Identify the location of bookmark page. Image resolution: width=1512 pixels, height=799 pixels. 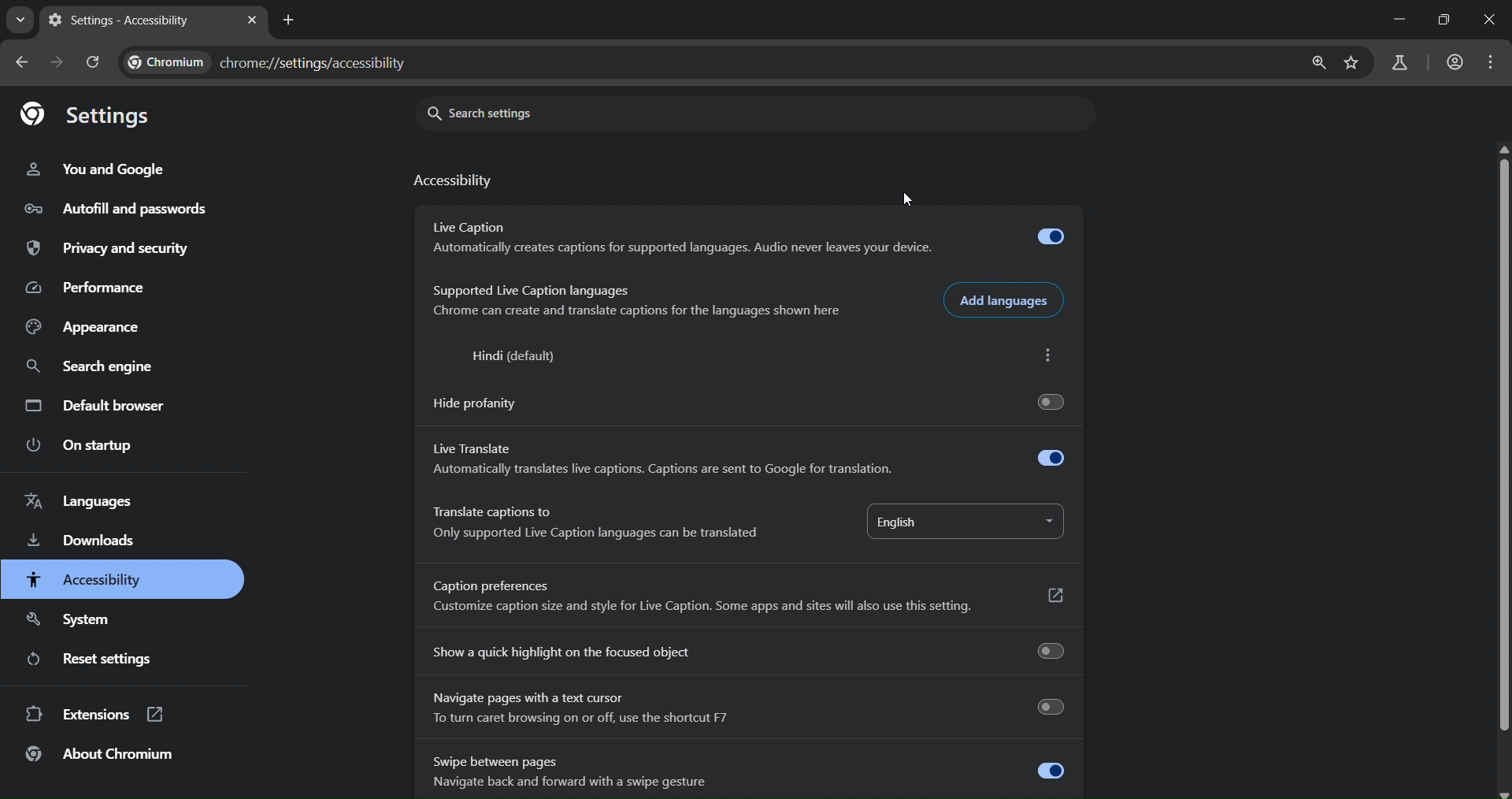
(1352, 61).